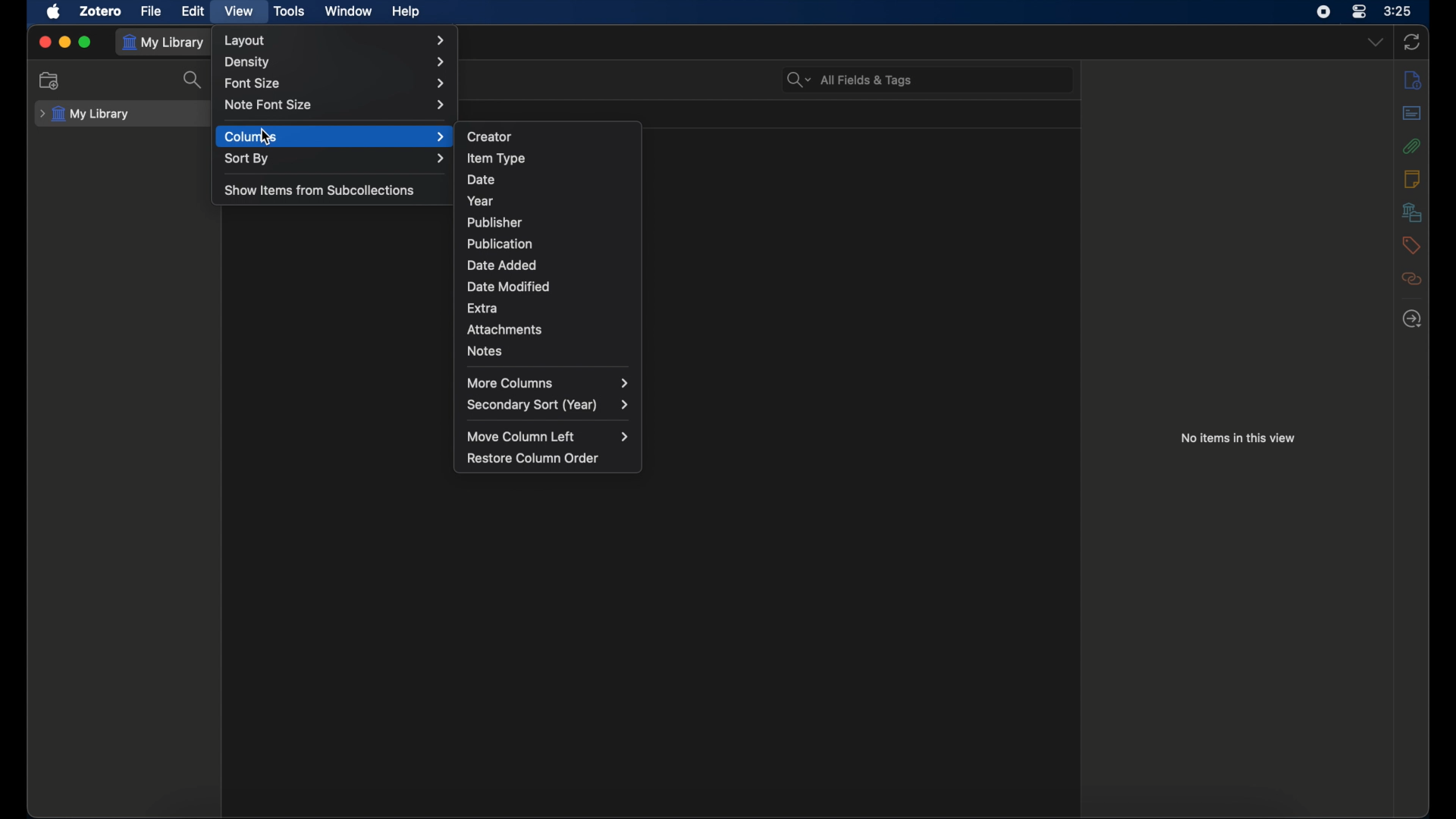 Image resolution: width=1456 pixels, height=819 pixels. What do you see at coordinates (319, 190) in the screenshot?
I see `show items from subcollections` at bounding box center [319, 190].